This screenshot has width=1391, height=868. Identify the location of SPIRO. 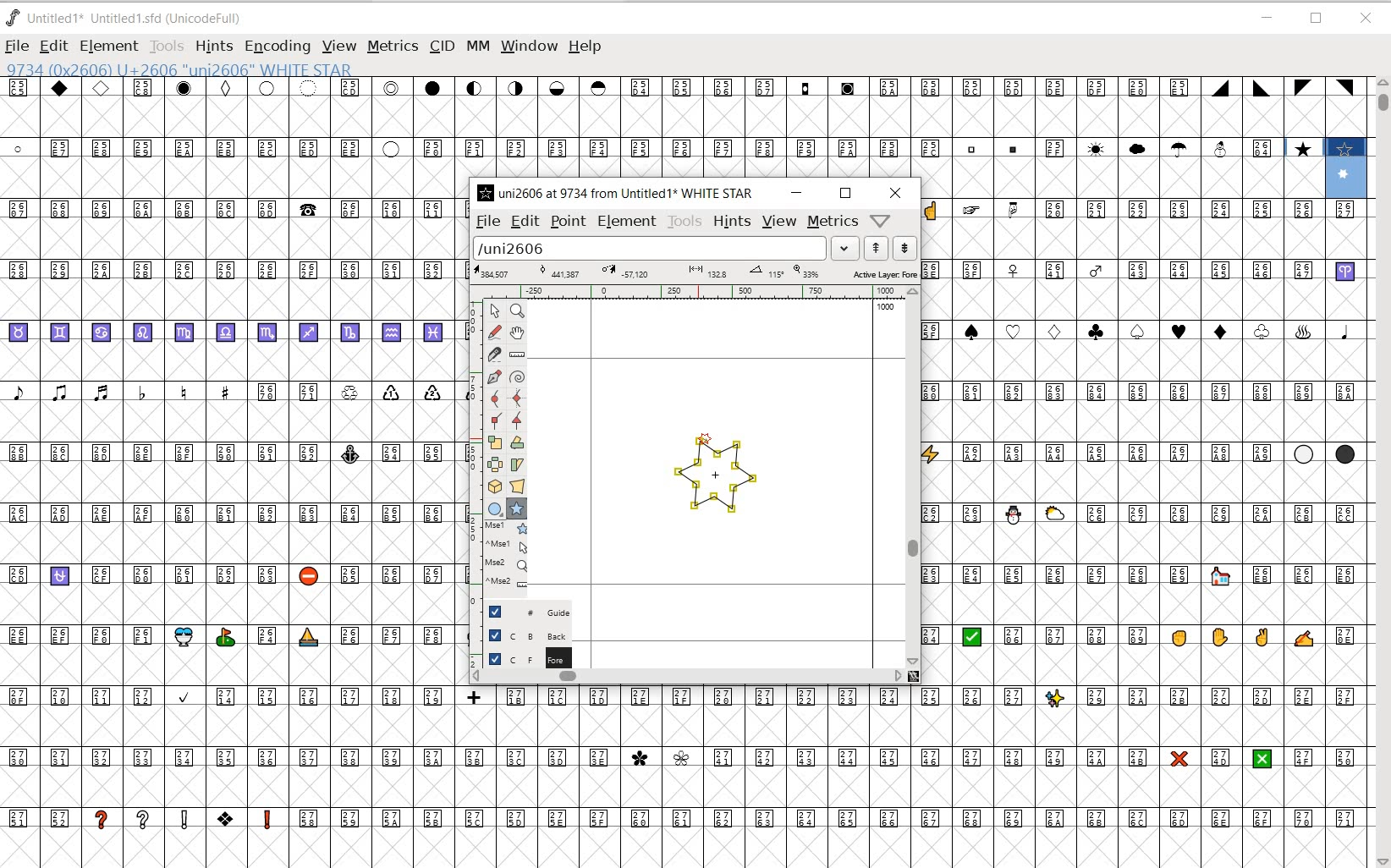
(518, 377).